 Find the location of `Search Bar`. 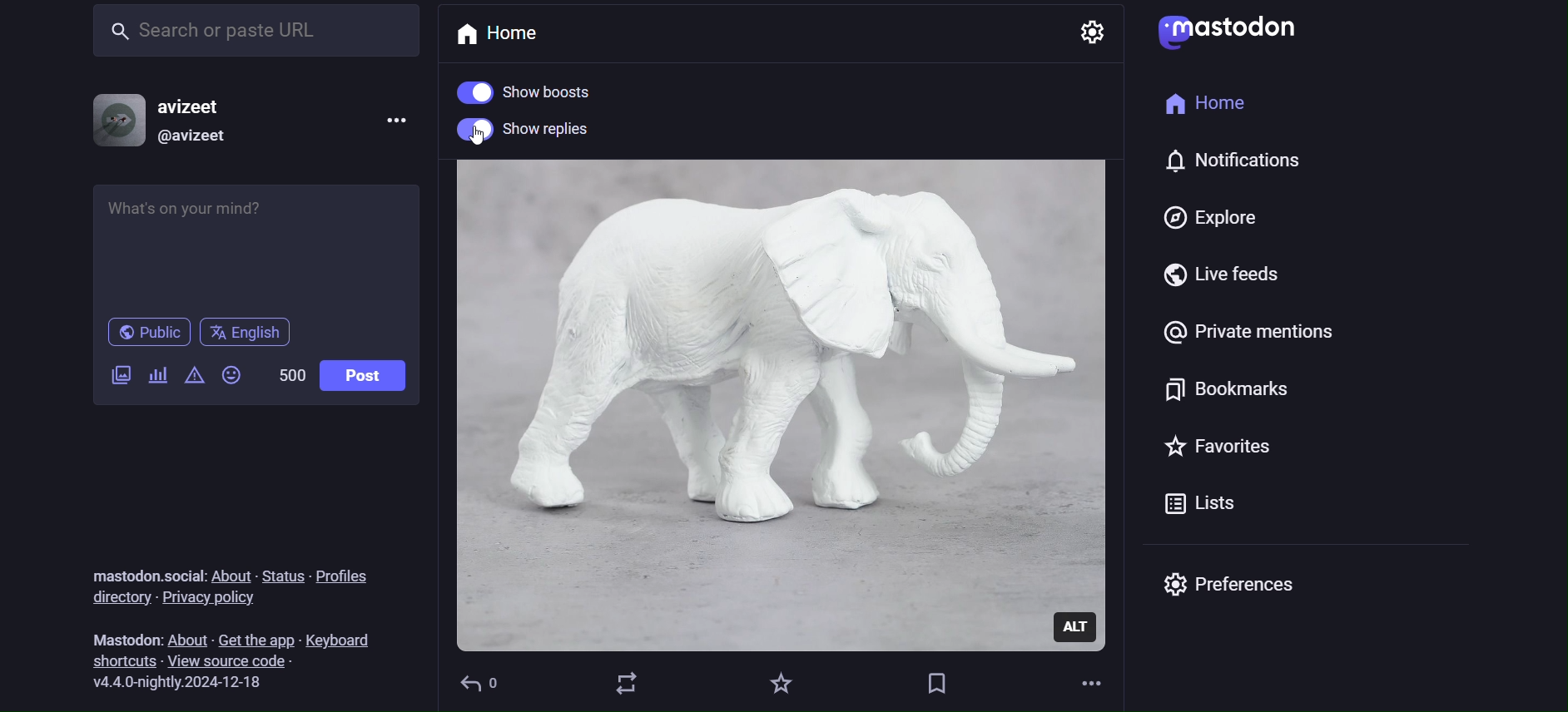

Search Bar is located at coordinates (254, 29).